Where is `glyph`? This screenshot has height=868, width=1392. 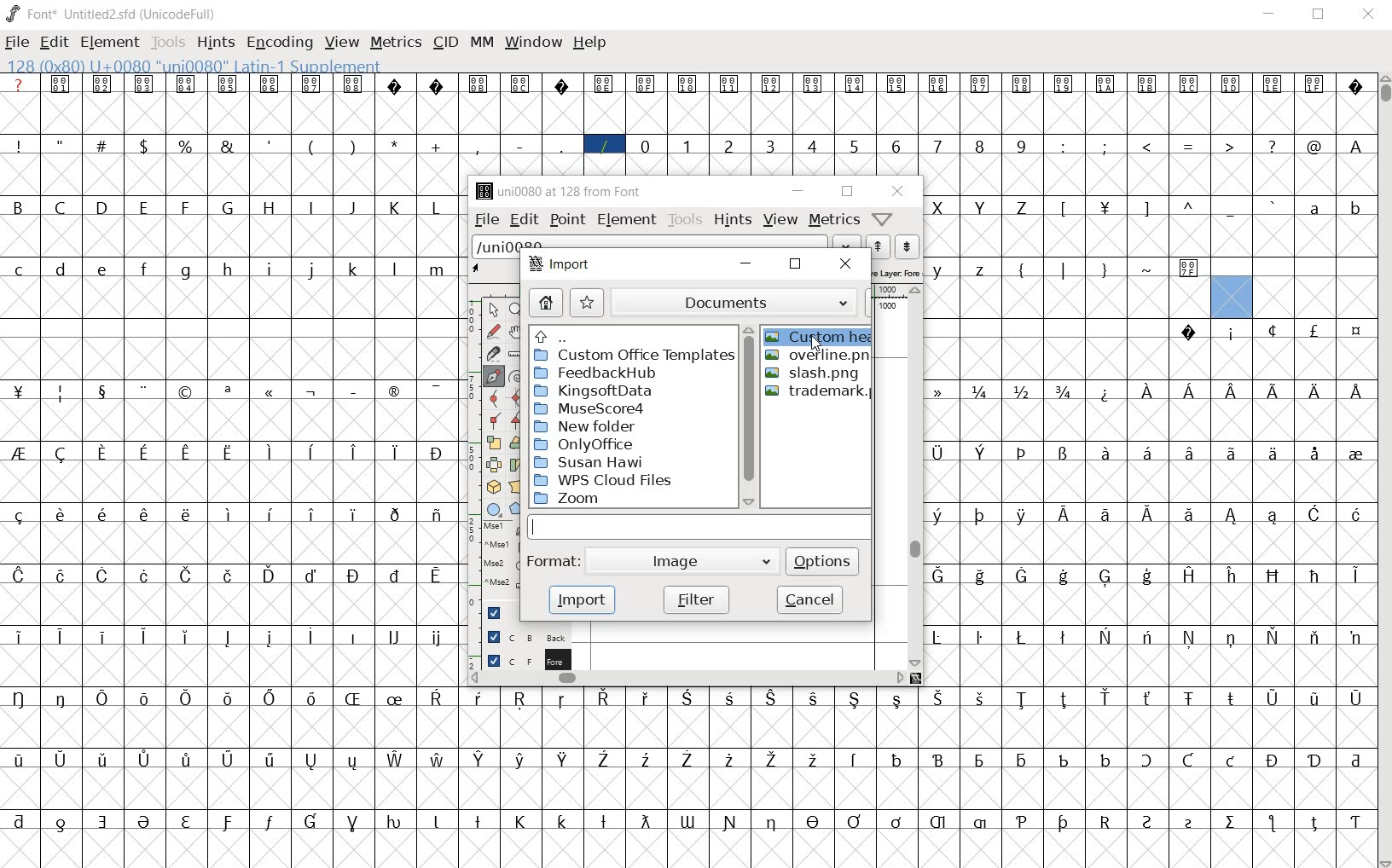 glyph is located at coordinates (728, 760).